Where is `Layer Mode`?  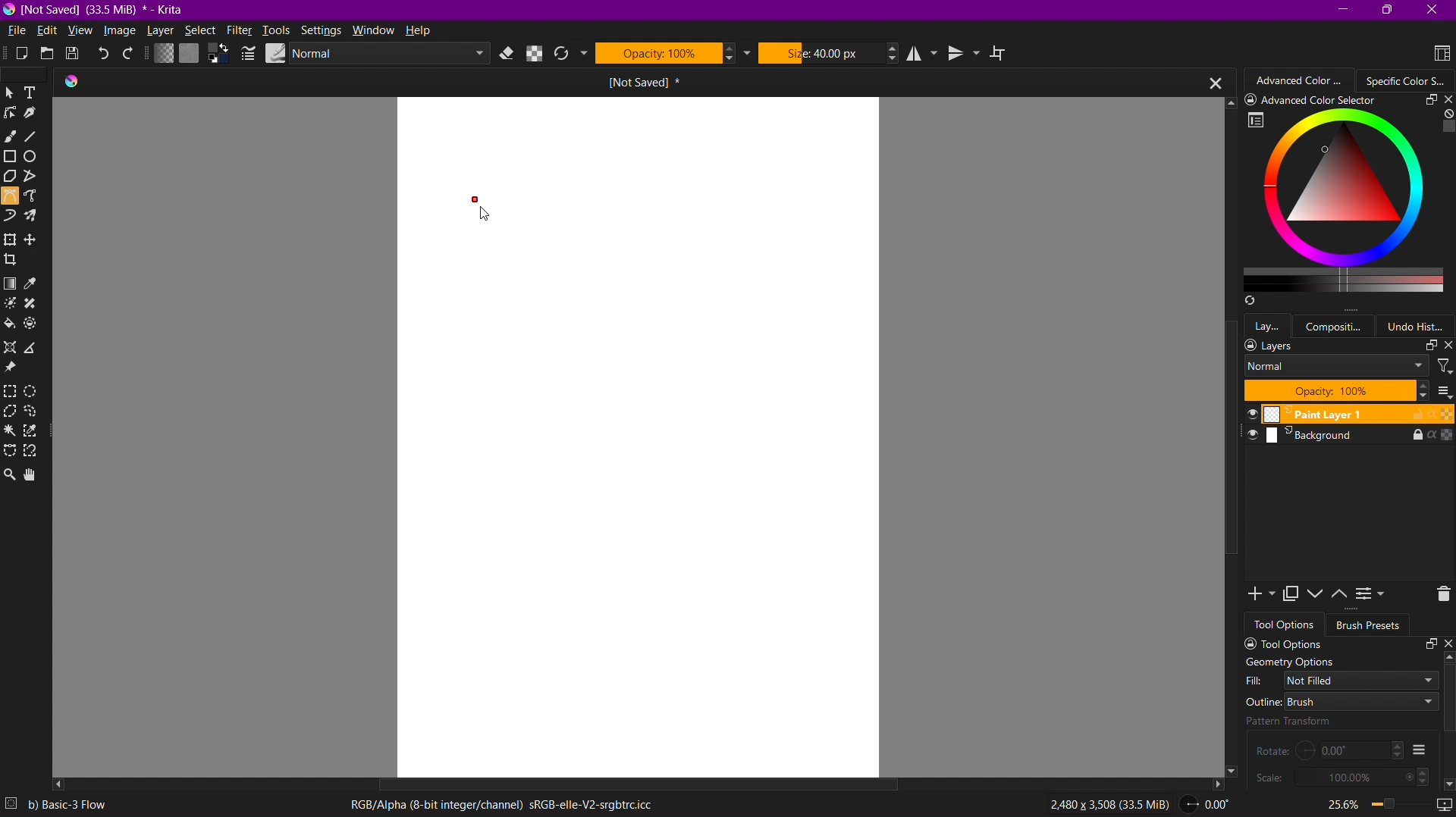
Layer Mode is located at coordinates (1336, 367).